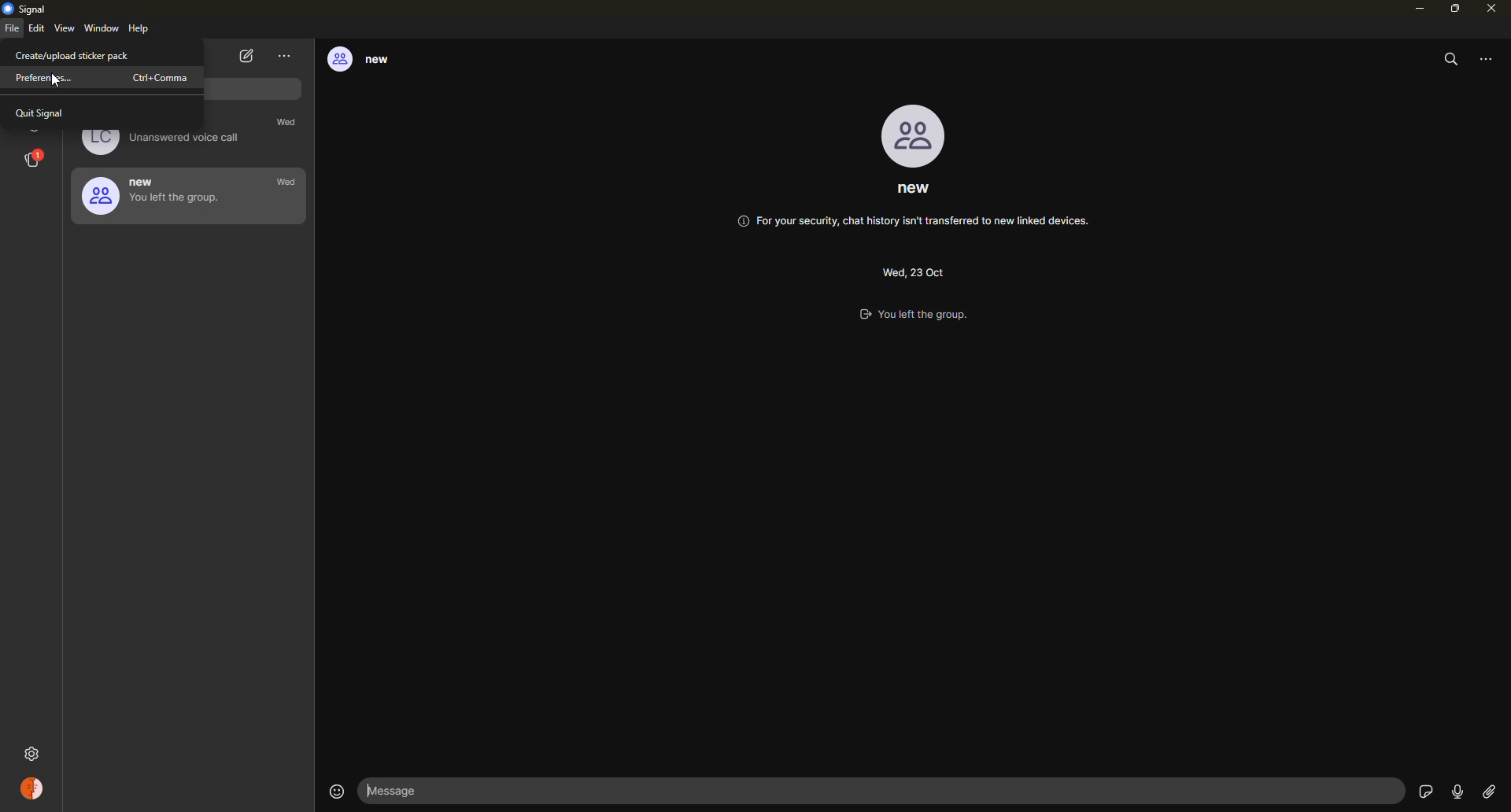 This screenshot has width=1511, height=812. I want to click on you left the group, so click(927, 316).